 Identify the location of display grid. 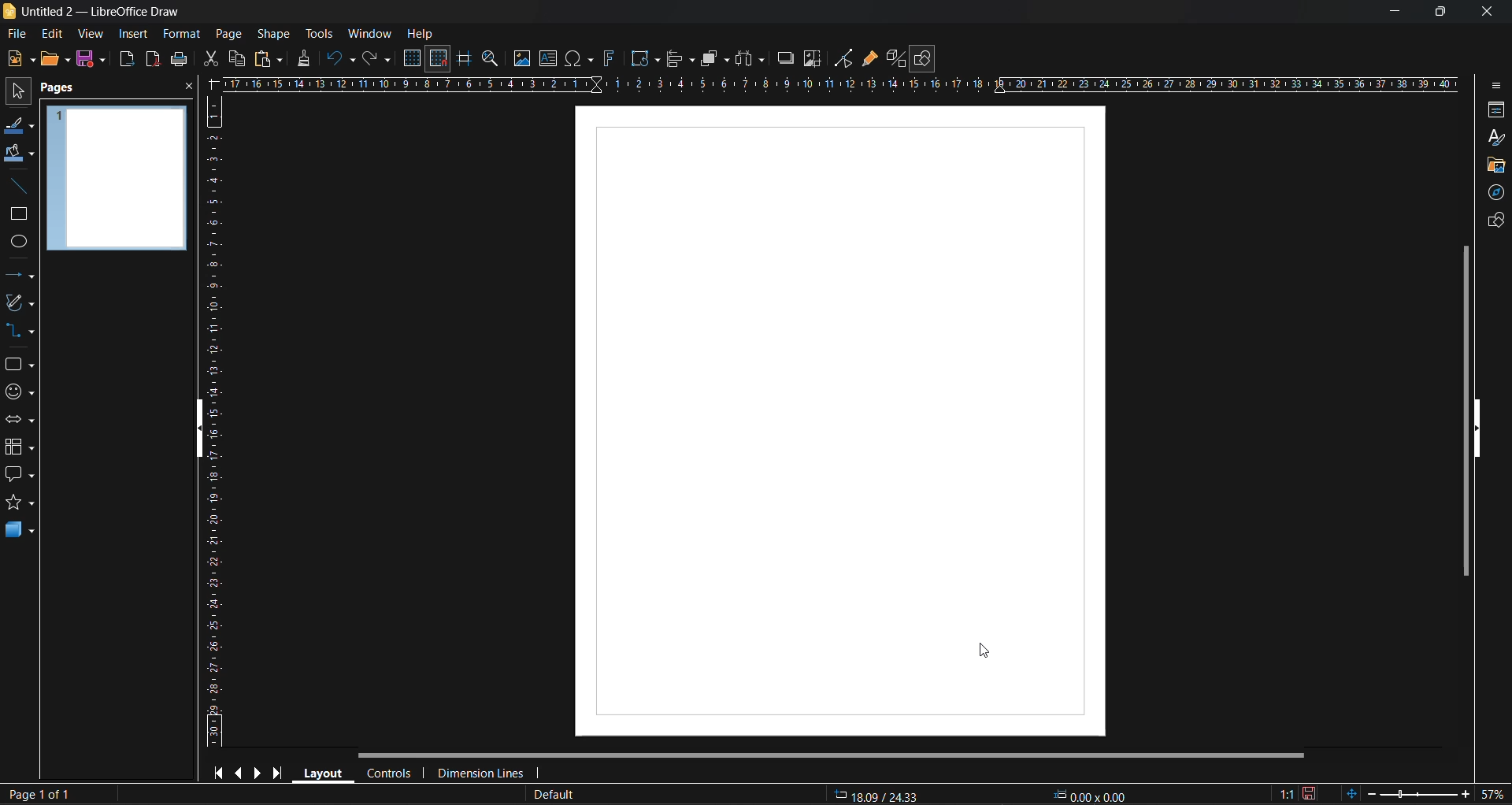
(414, 57).